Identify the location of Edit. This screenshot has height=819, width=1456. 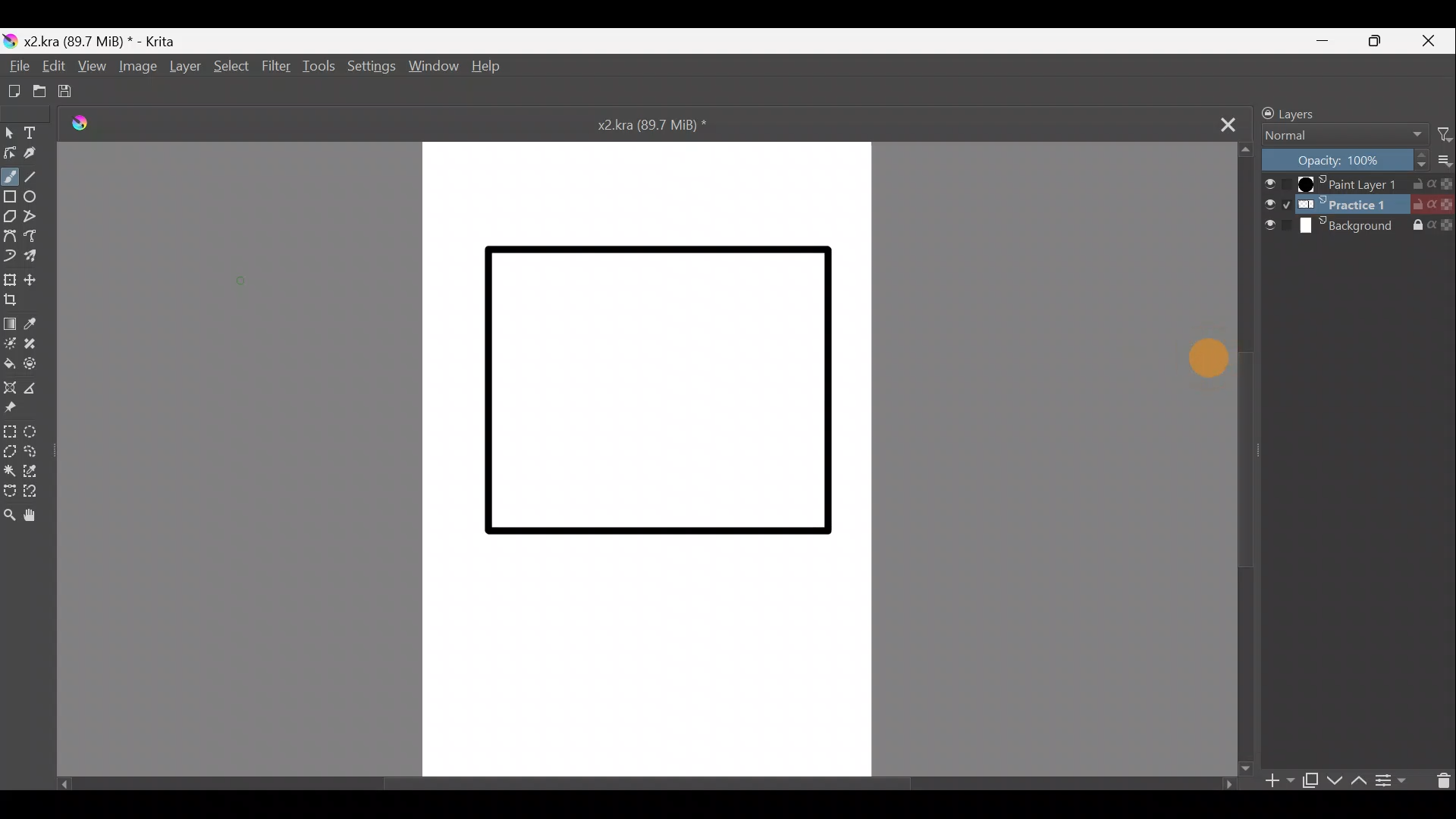
(52, 68).